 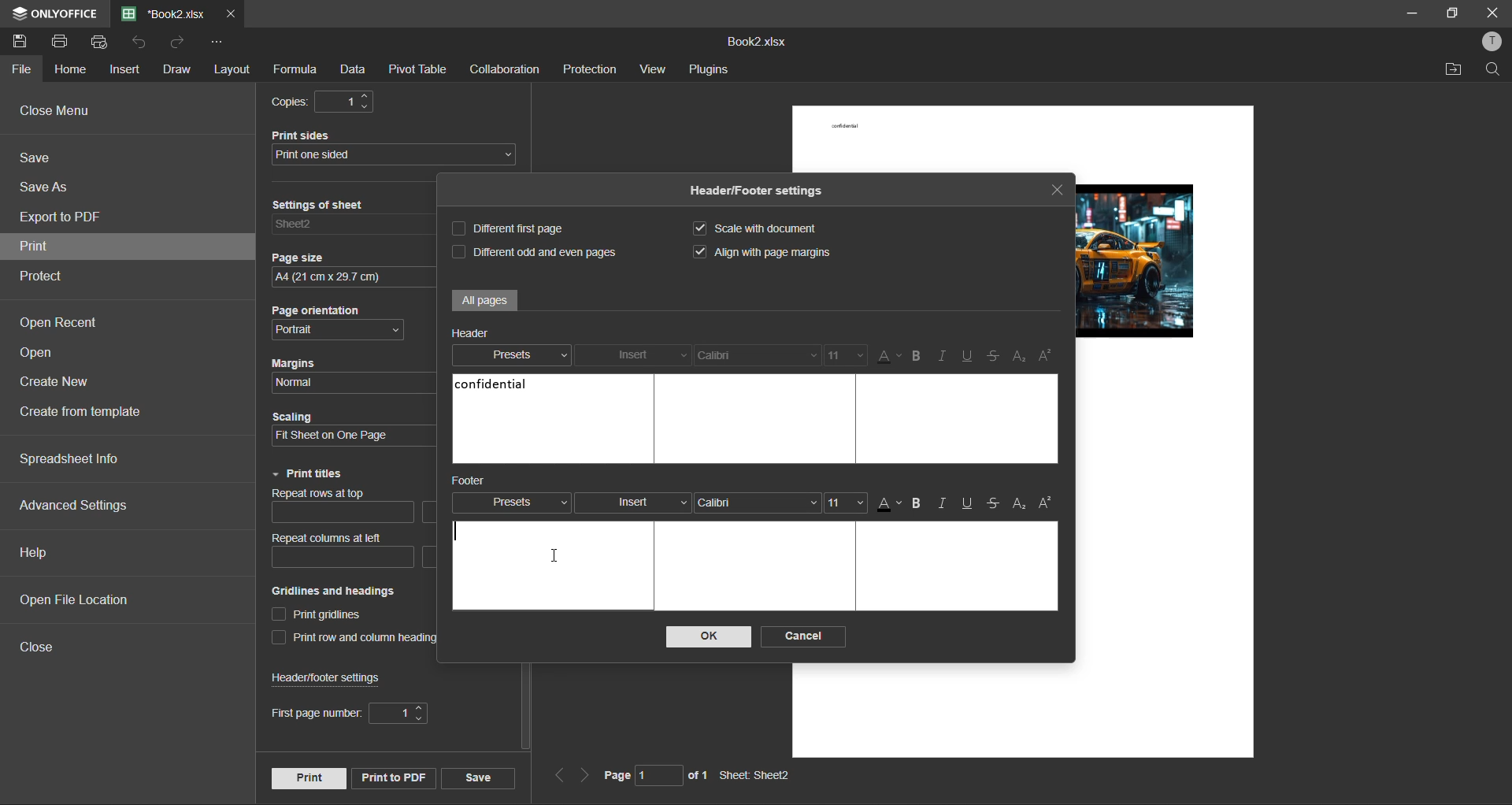 What do you see at coordinates (750, 230) in the screenshot?
I see `scale with document` at bounding box center [750, 230].